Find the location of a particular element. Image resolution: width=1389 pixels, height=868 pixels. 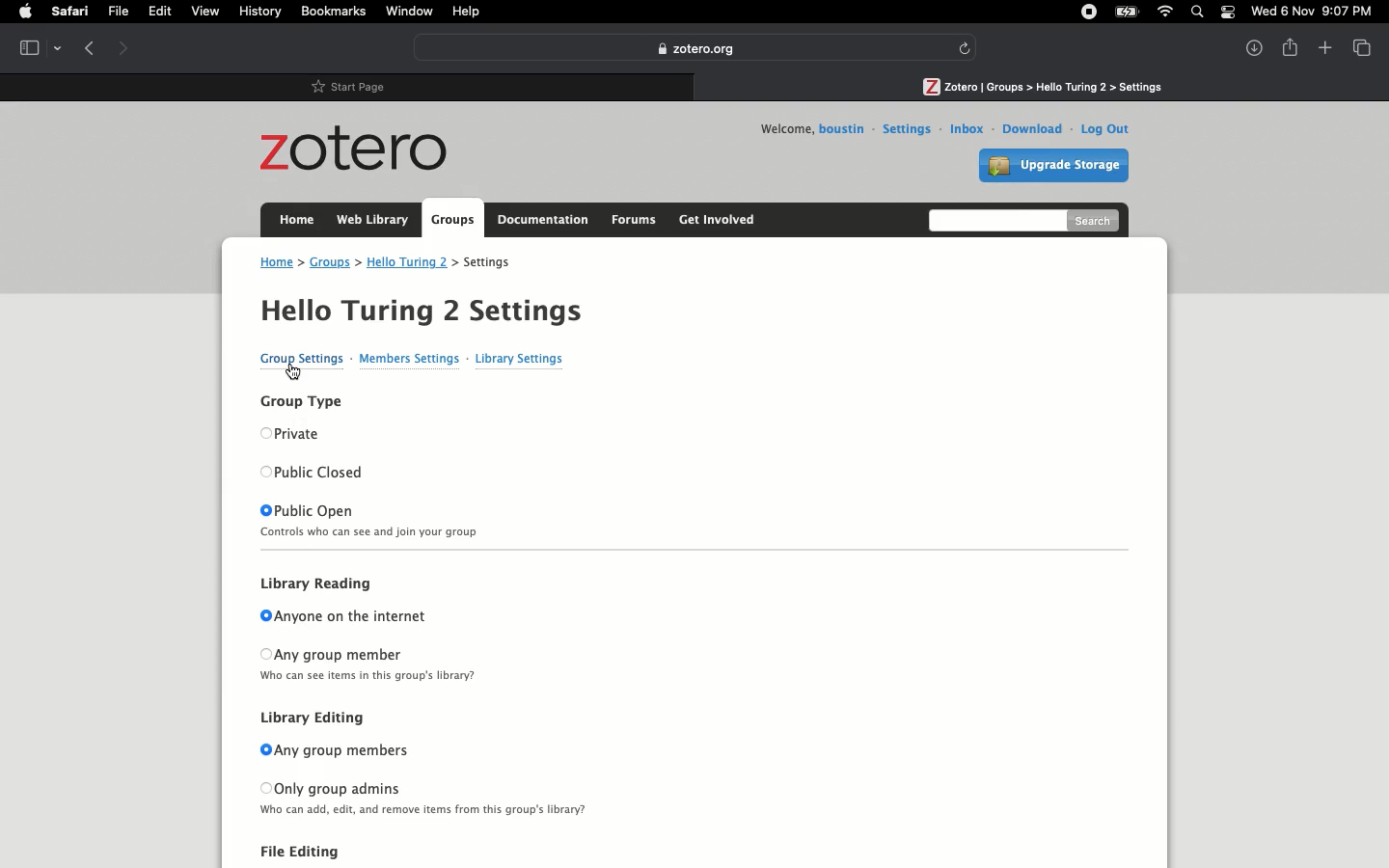

Notification bar is located at coordinates (1225, 14).